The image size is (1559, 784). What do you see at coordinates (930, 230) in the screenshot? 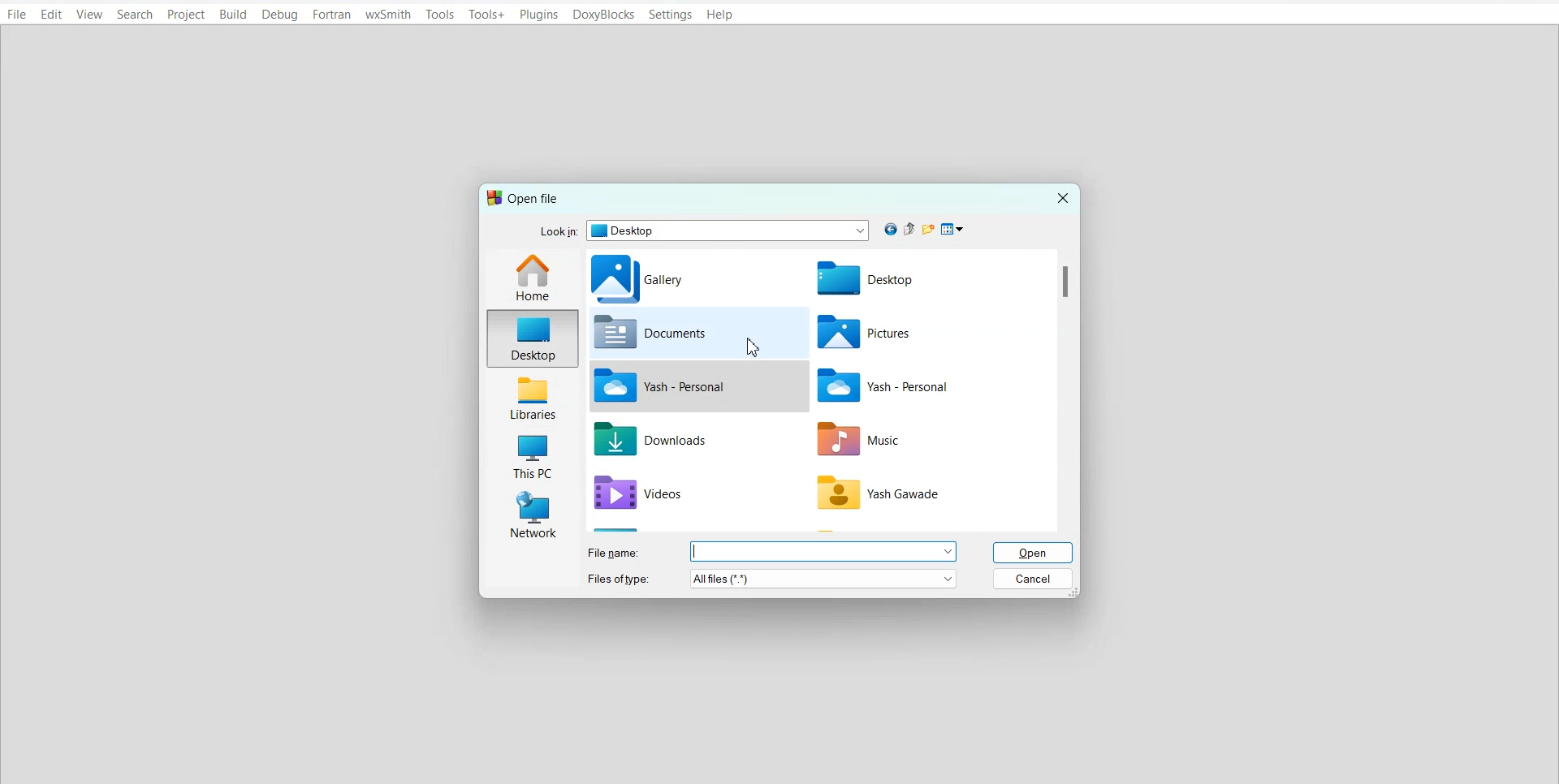
I see `Create new folder` at bounding box center [930, 230].